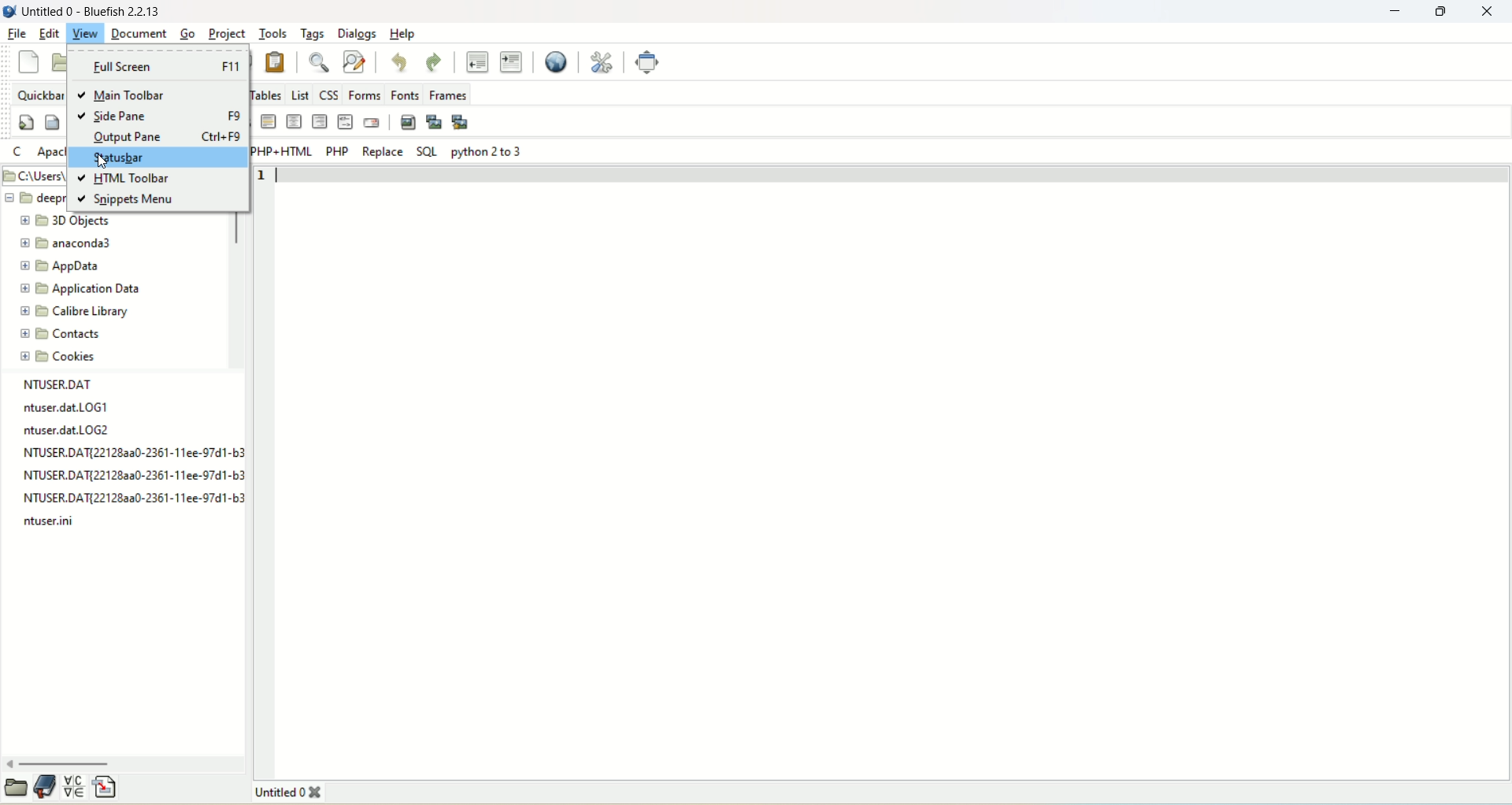 This screenshot has height=805, width=1512. Describe the element at coordinates (237, 278) in the screenshot. I see `vertical scroll bar` at that location.